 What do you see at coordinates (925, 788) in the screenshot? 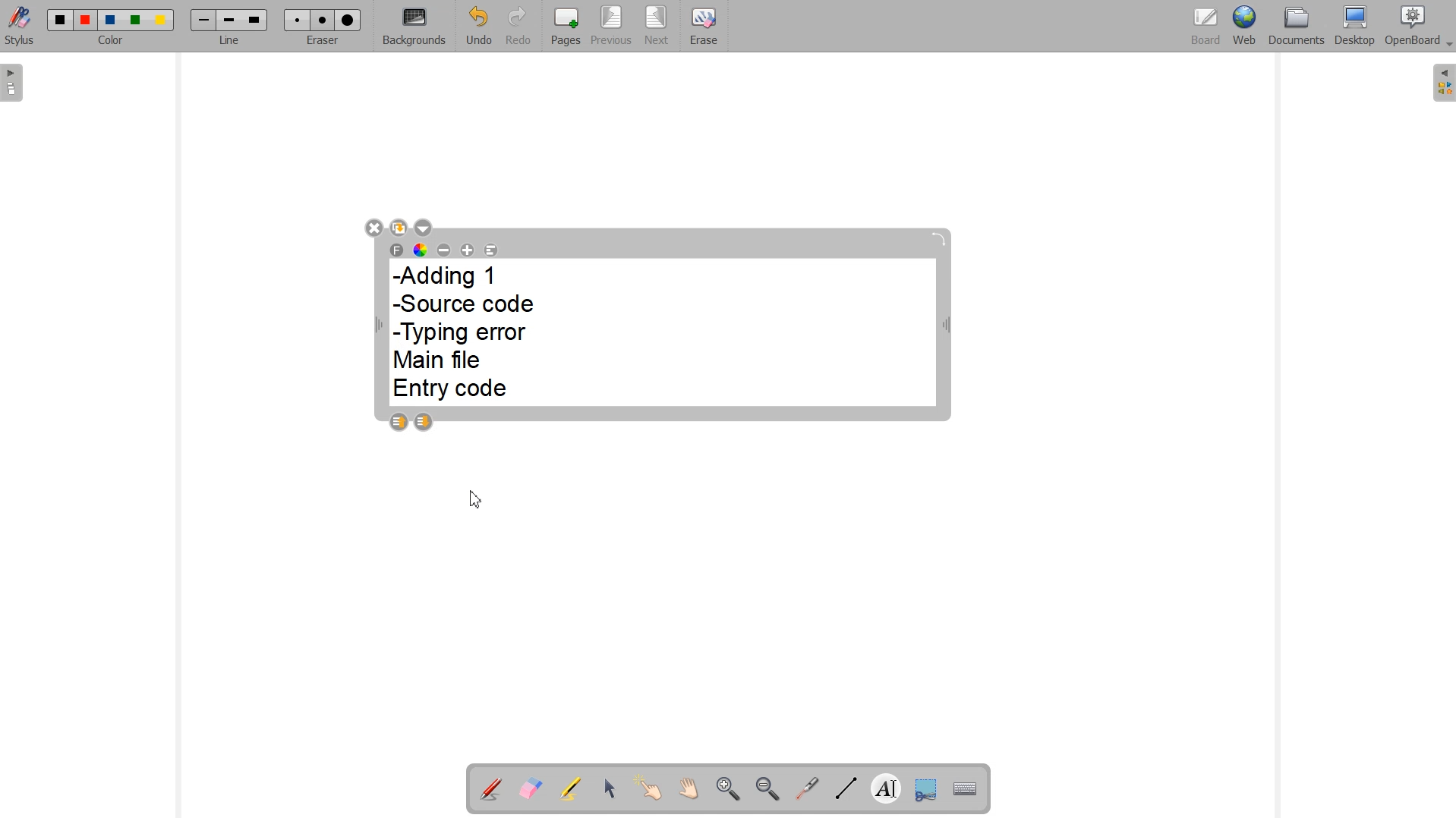
I see `Capture part of the screen` at bounding box center [925, 788].